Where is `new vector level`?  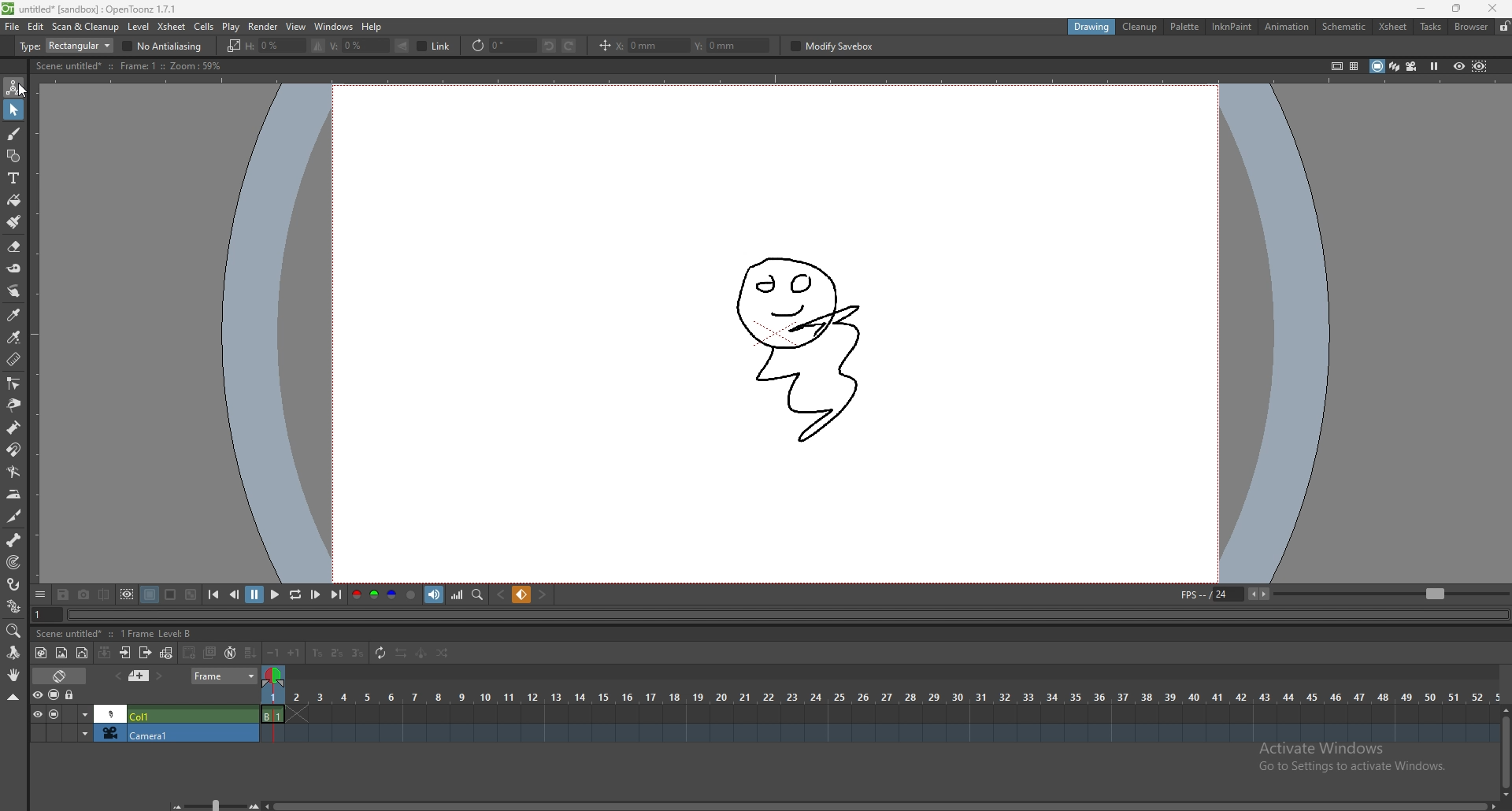 new vector level is located at coordinates (83, 653).